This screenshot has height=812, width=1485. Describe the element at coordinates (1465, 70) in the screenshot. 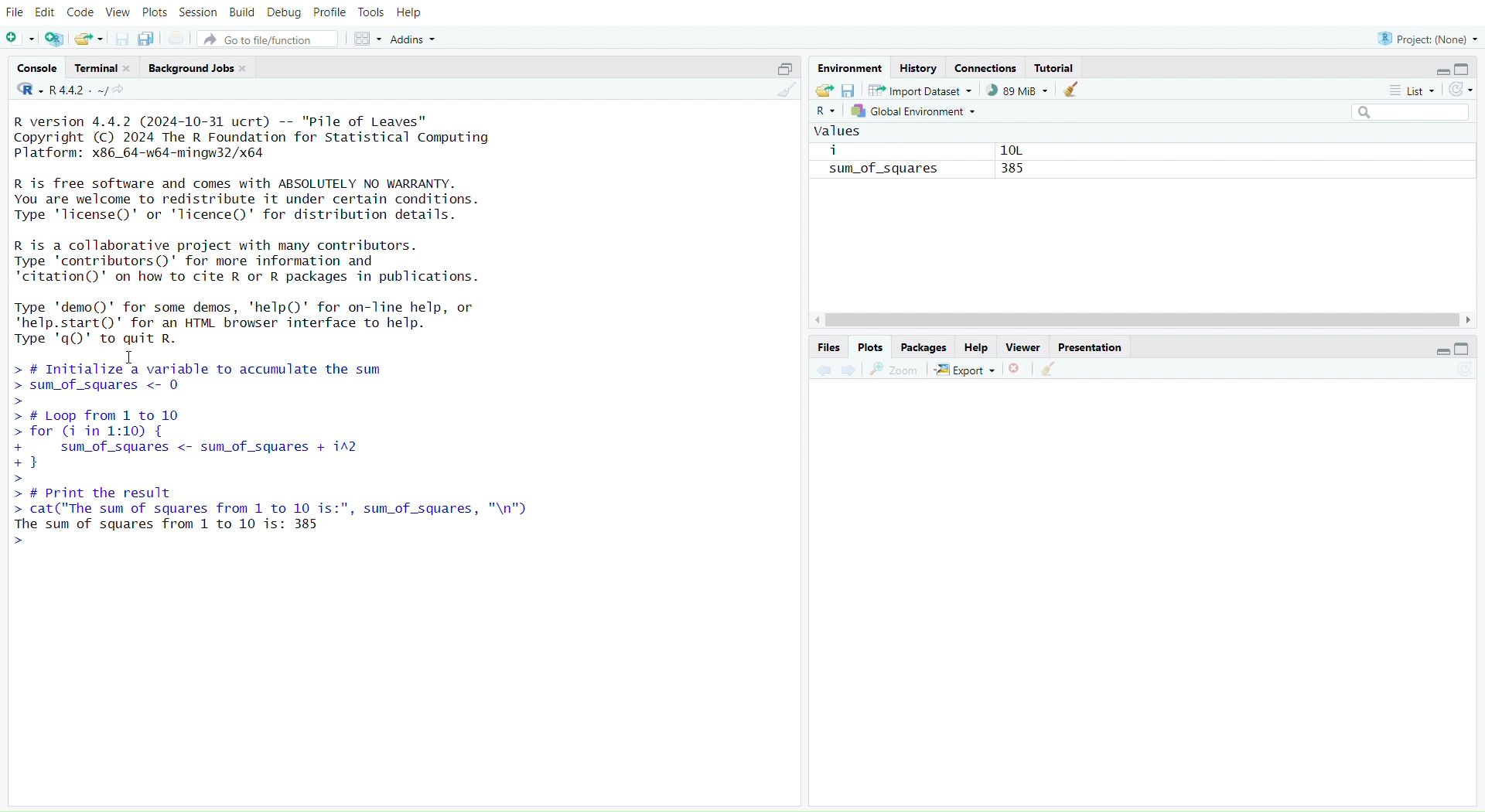

I see `collapse` at that location.